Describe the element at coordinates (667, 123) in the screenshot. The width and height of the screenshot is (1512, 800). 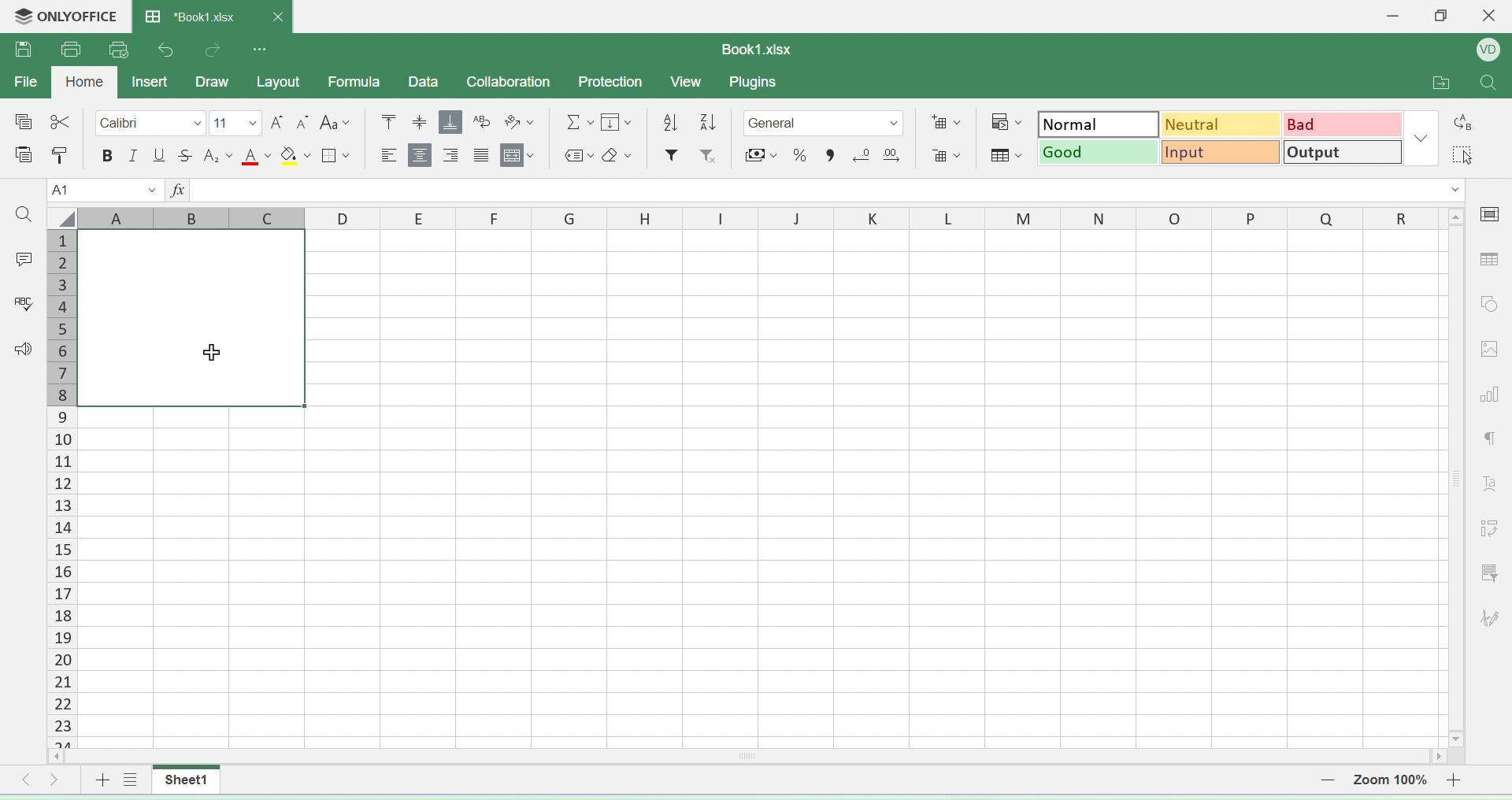
I see `descending order` at that location.